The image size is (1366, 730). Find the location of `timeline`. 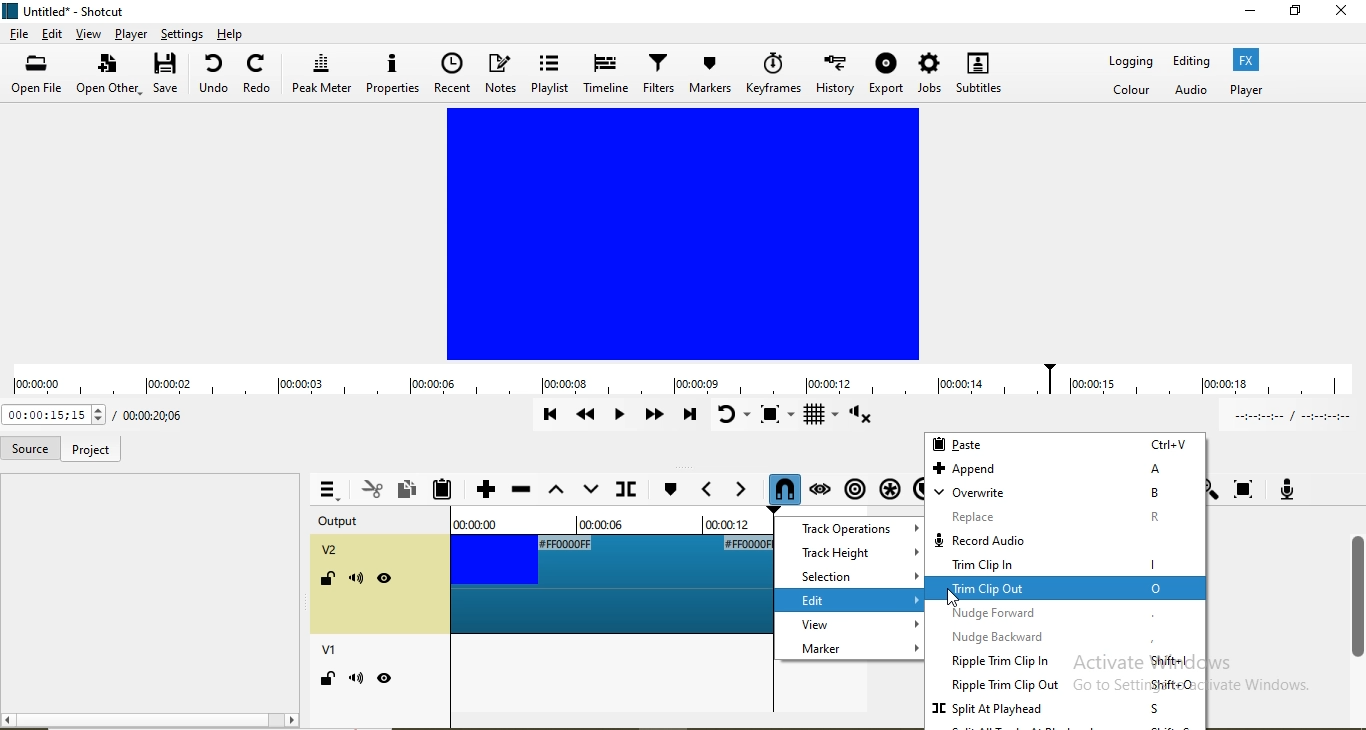

timeline is located at coordinates (605, 72).